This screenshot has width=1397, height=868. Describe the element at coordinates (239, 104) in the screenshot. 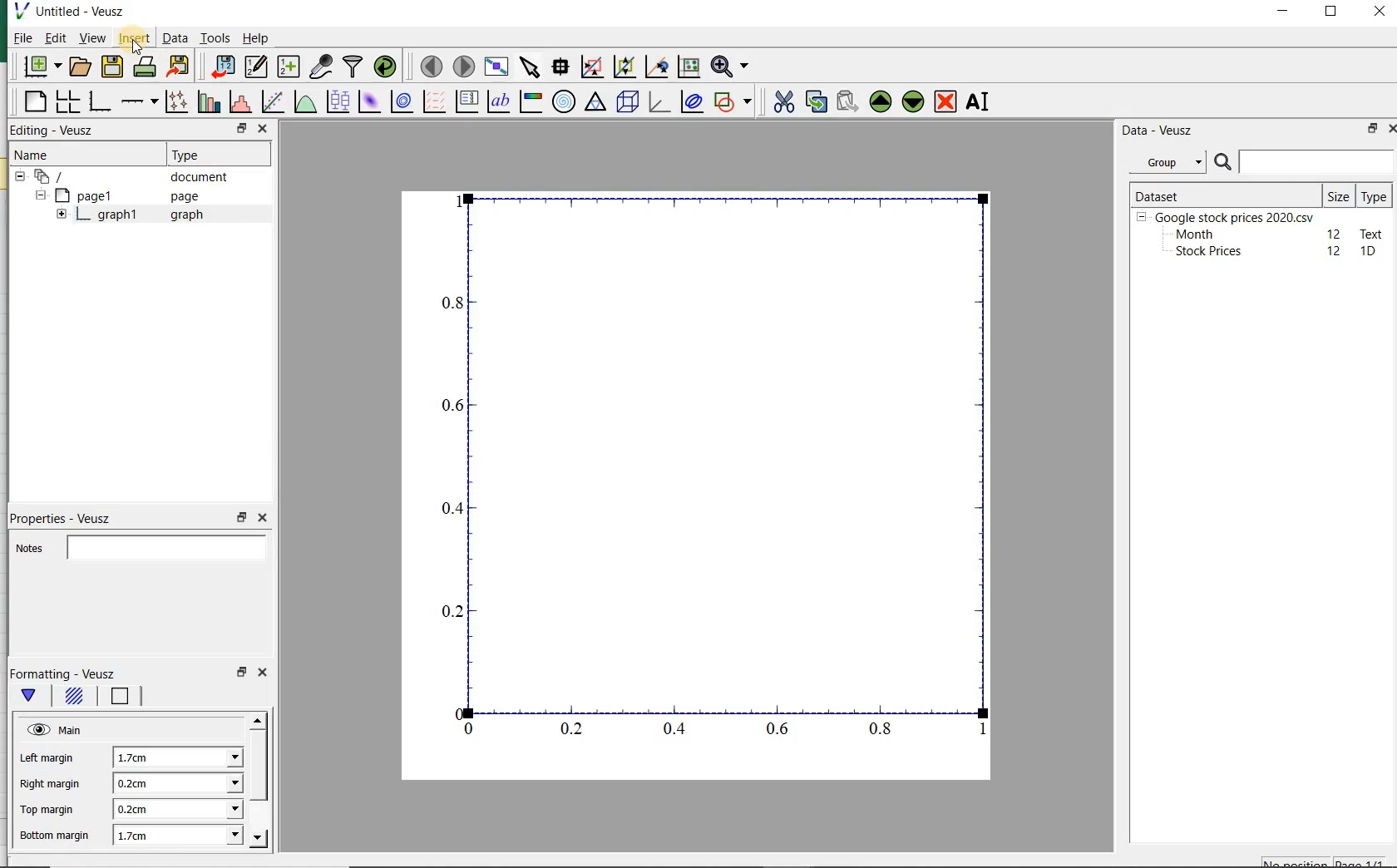

I see `histogram of a dataset` at that location.